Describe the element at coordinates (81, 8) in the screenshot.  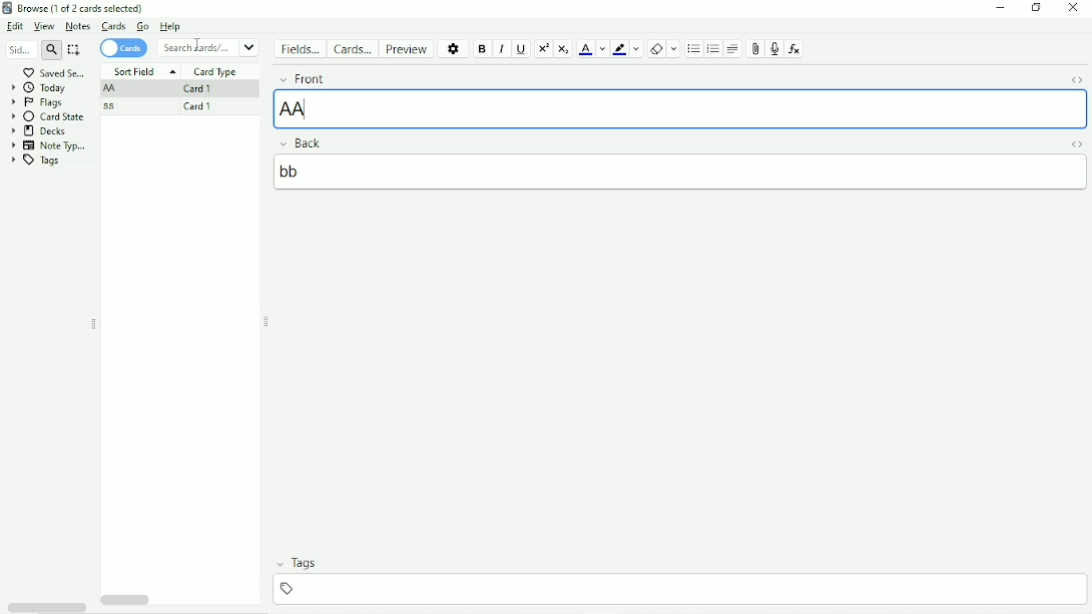
I see `Browse` at that location.